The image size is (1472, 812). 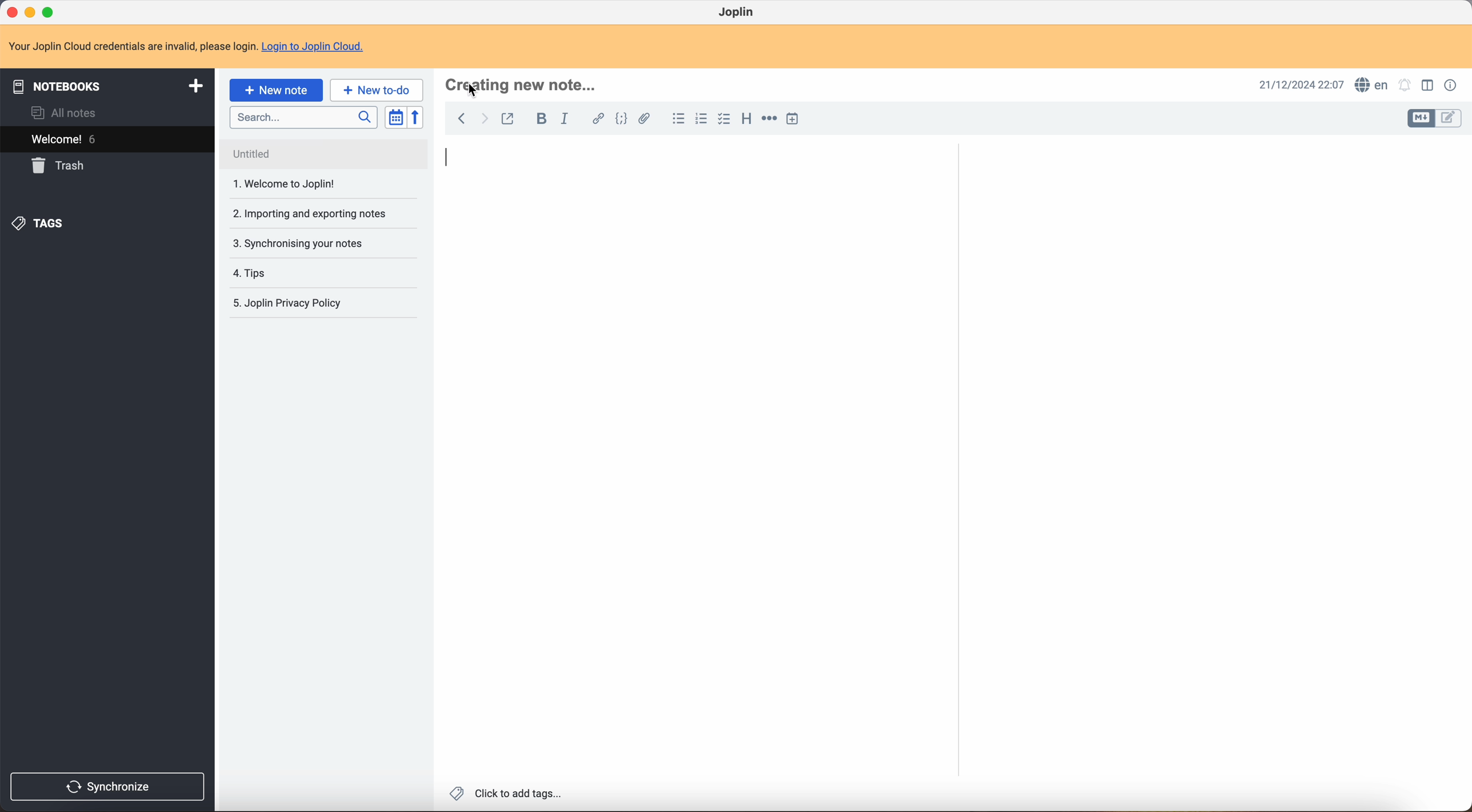 I want to click on hyperlink, so click(x=597, y=119).